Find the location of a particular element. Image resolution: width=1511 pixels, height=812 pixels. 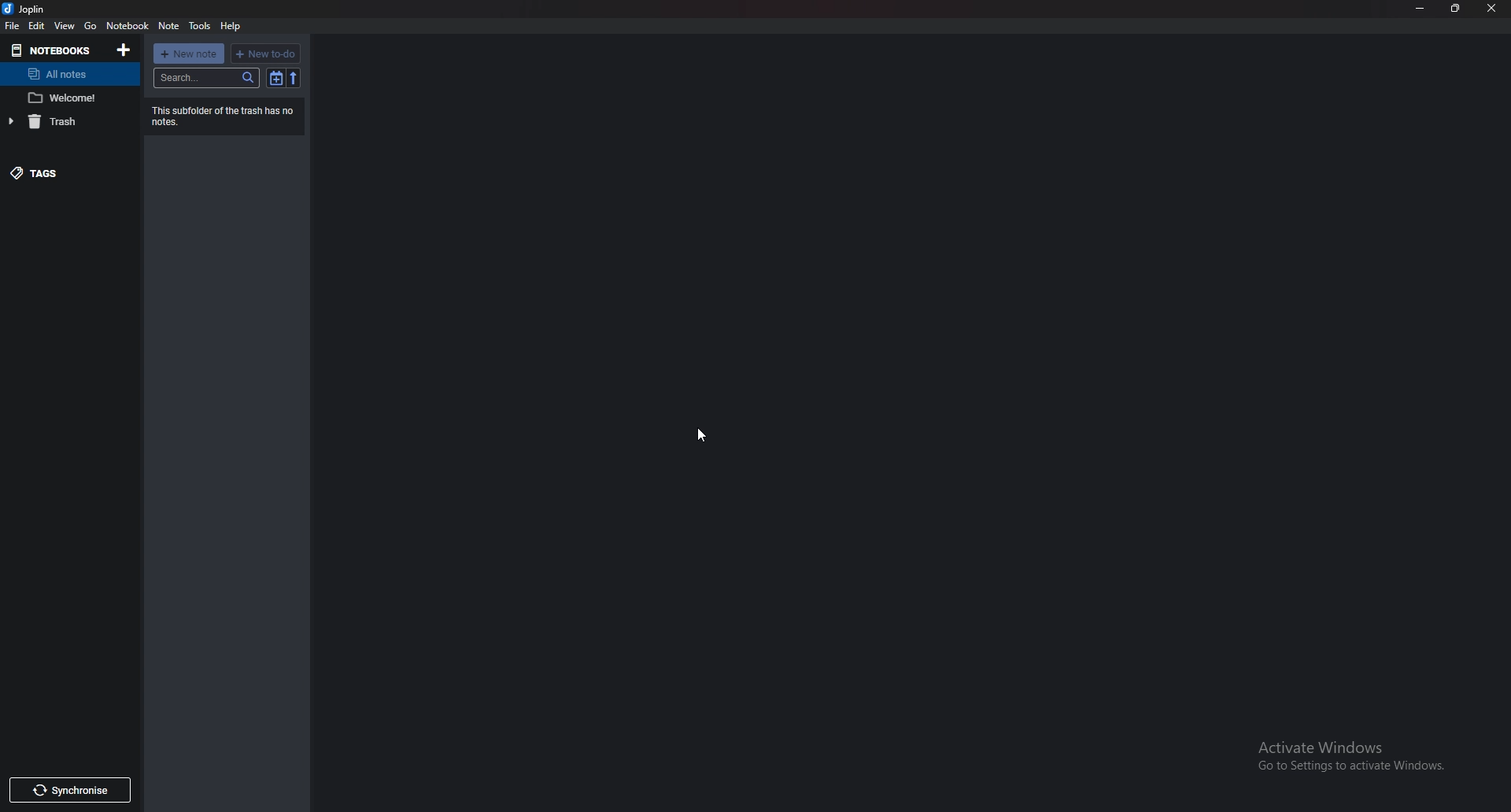

minimize is located at coordinates (1421, 8).